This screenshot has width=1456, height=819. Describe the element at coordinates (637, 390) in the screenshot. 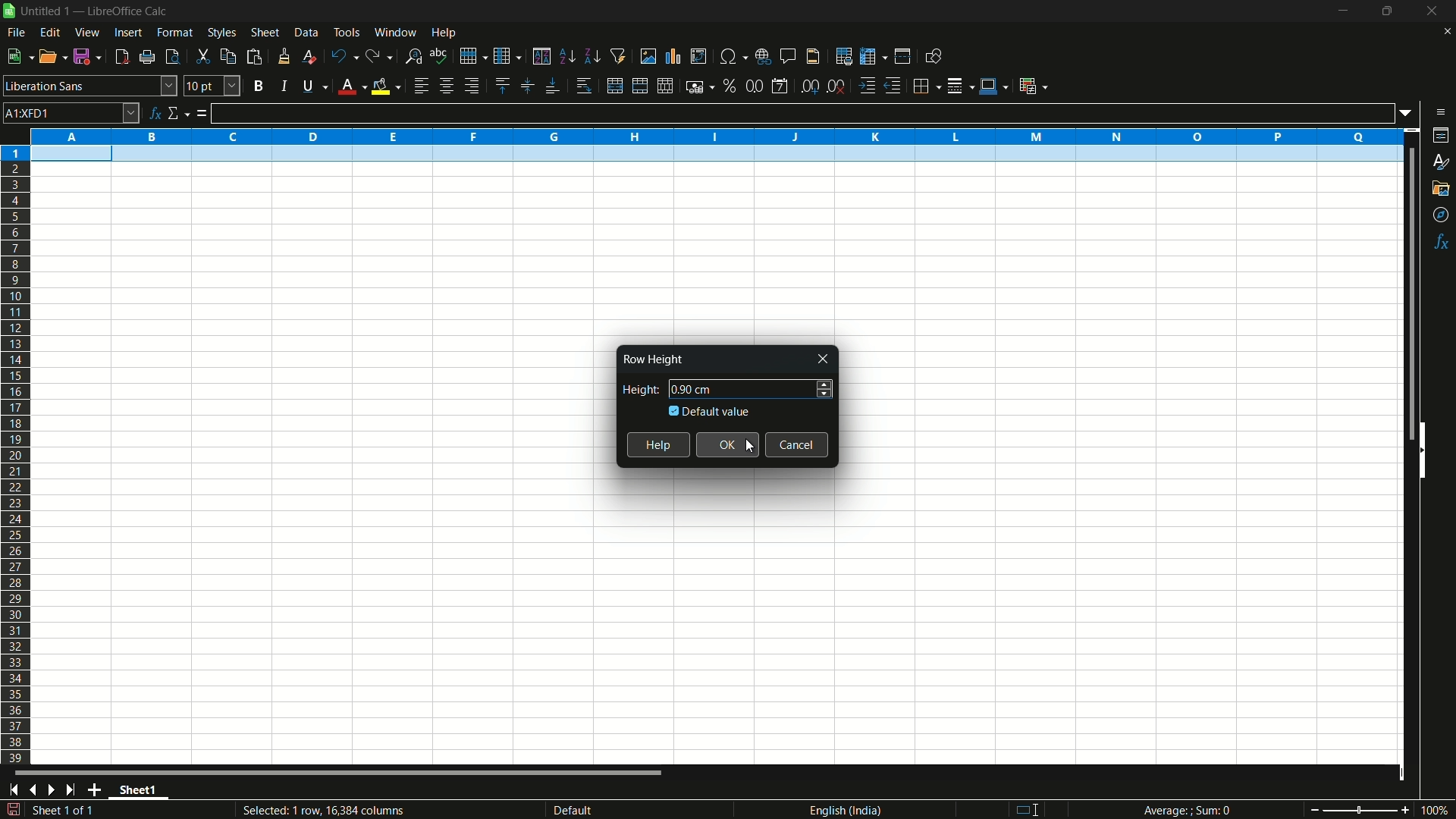

I see `height` at that location.